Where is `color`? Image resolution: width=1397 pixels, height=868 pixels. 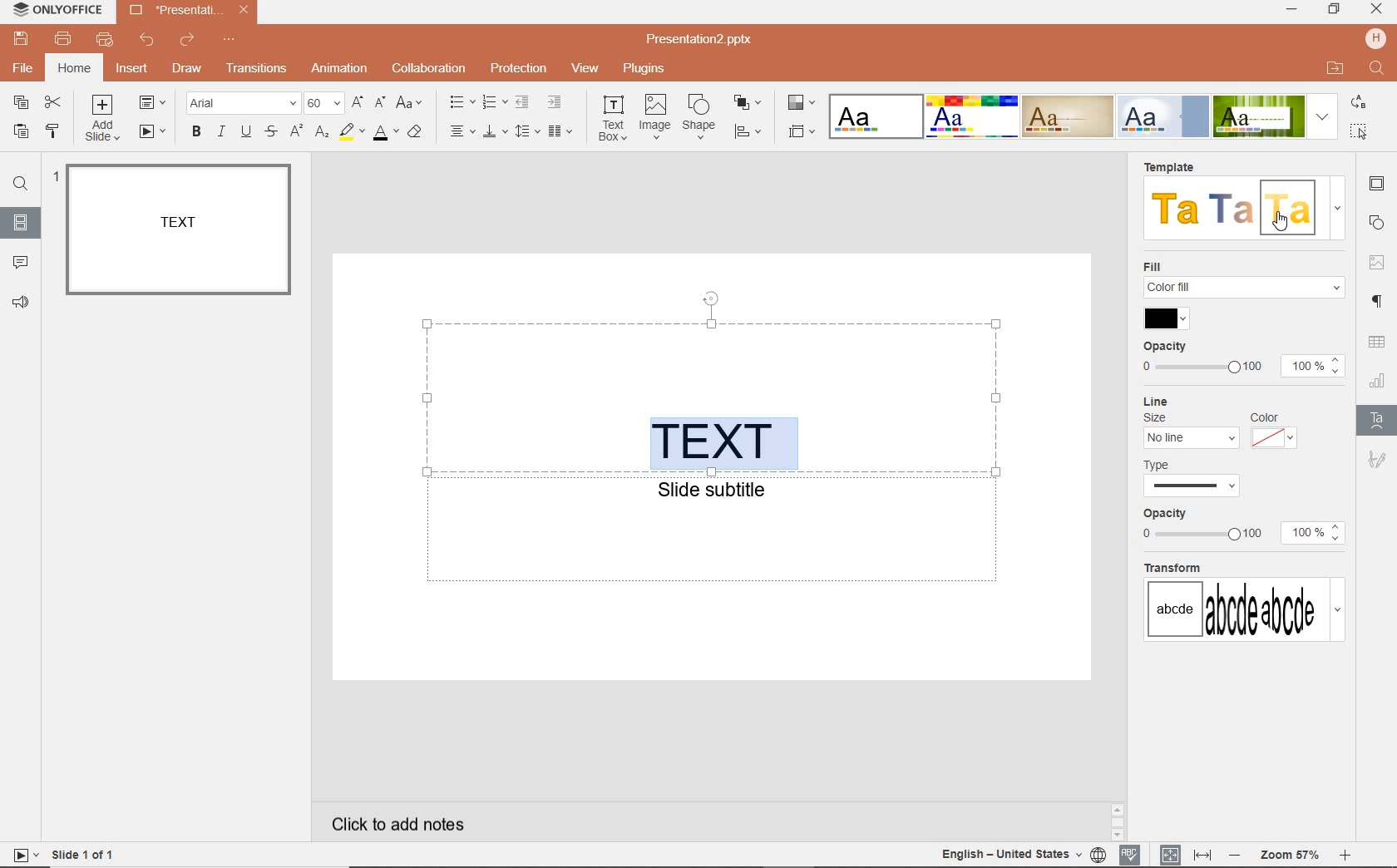 color is located at coordinates (1274, 432).